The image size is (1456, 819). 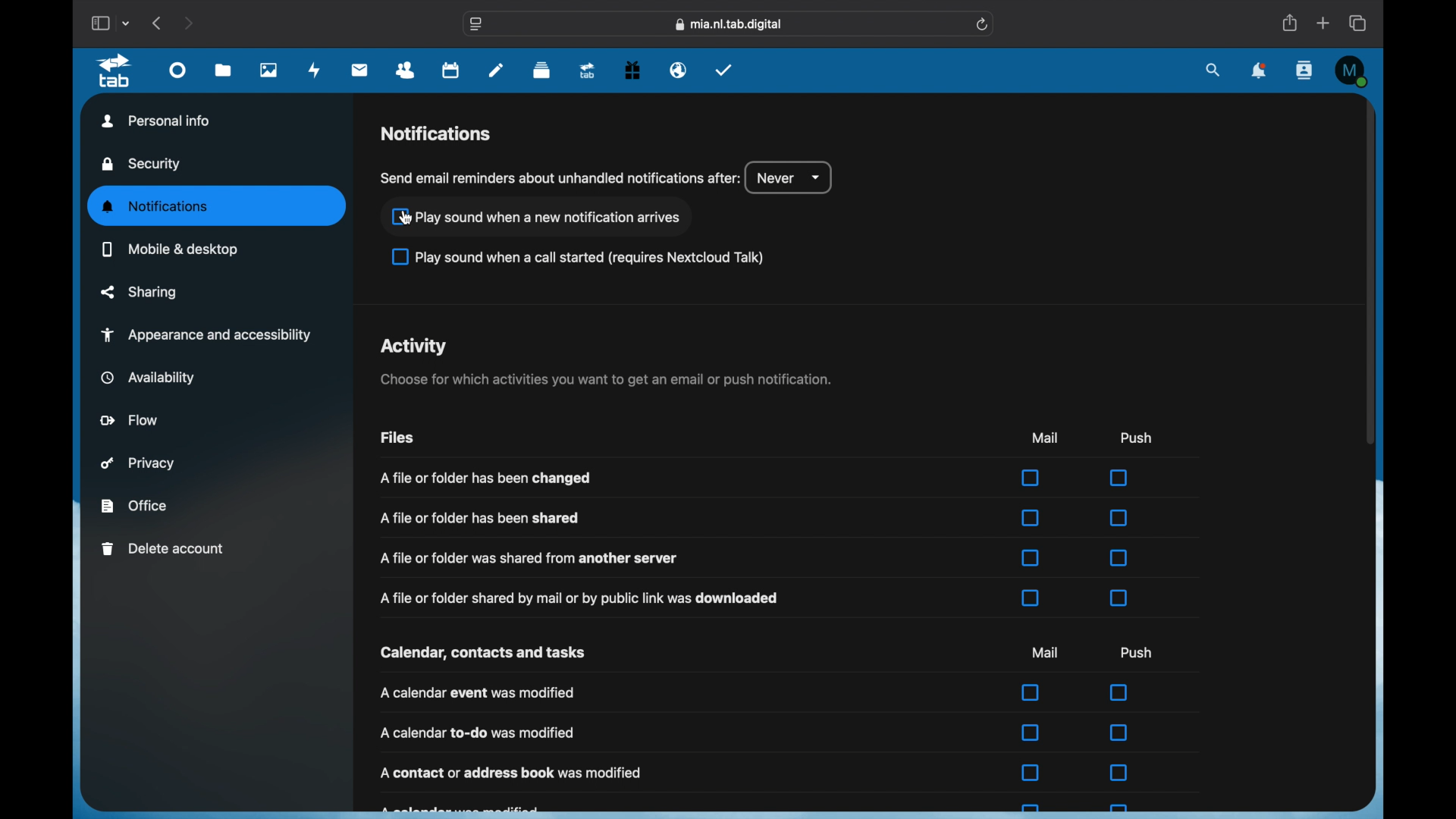 What do you see at coordinates (437, 134) in the screenshot?
I see `notifications` at bounding box center [437, 134].